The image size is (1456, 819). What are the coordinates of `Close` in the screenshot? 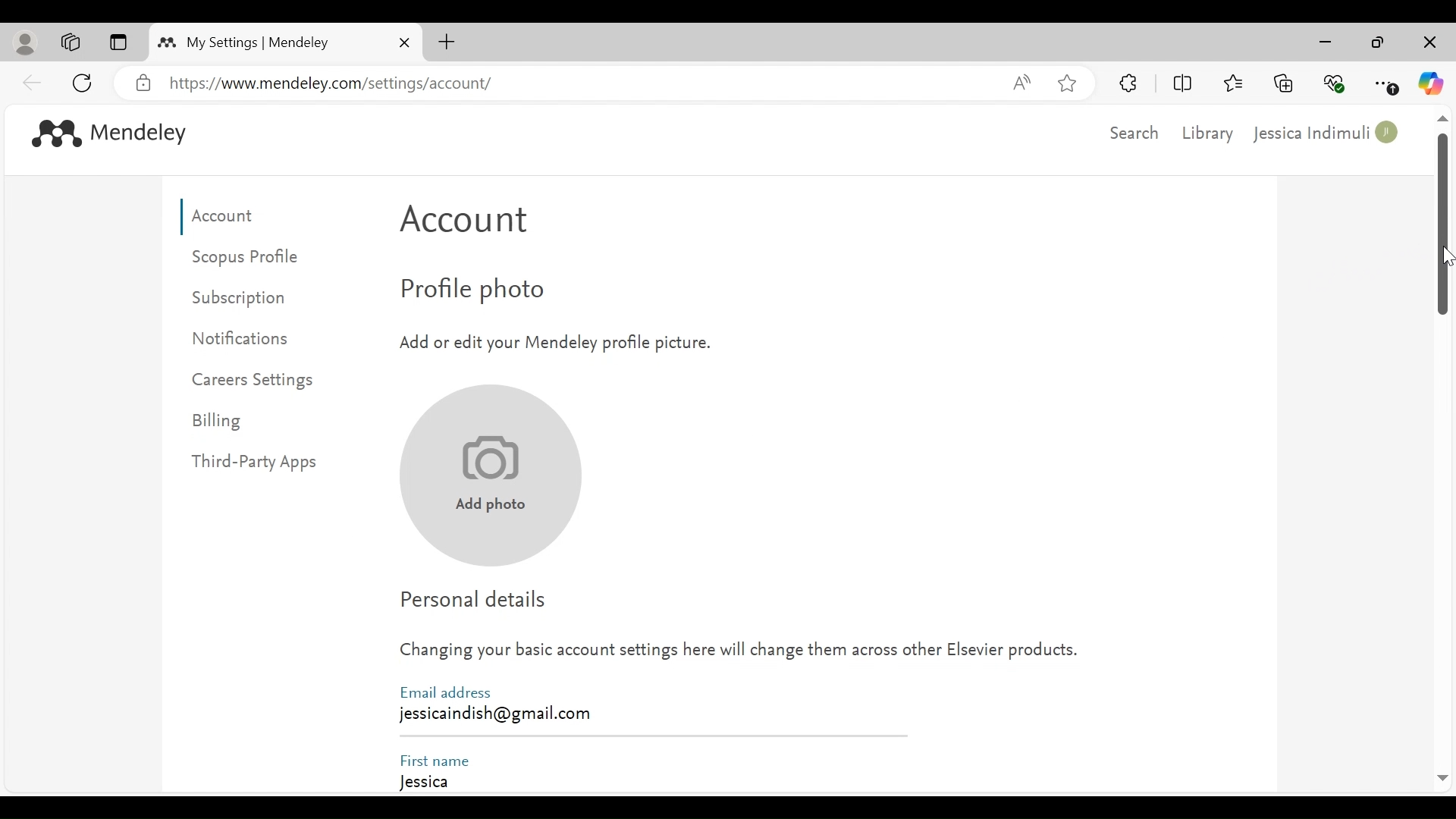 It's located at (1428, 43).